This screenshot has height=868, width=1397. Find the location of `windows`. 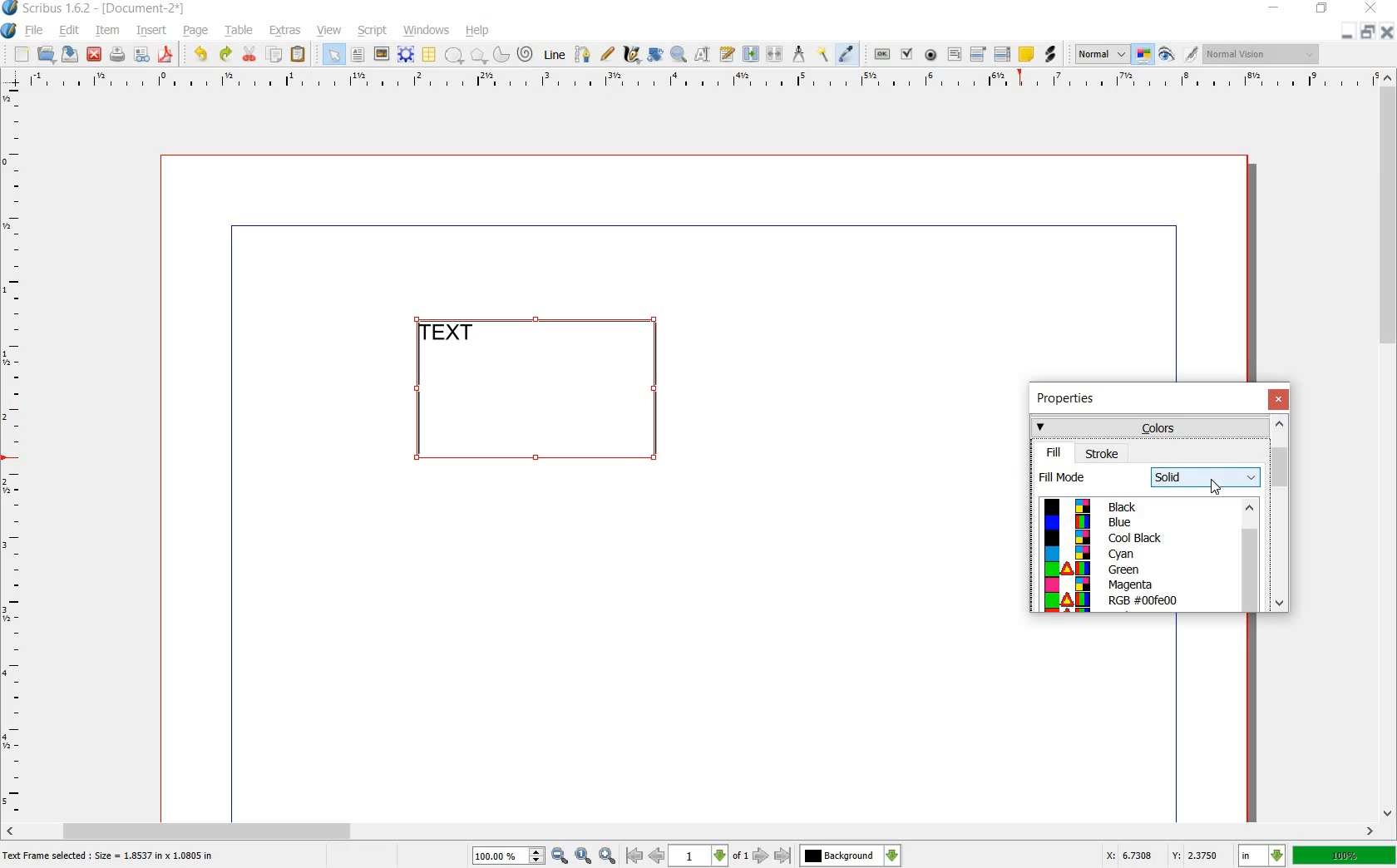

windows is located at coordinates (426, 31).